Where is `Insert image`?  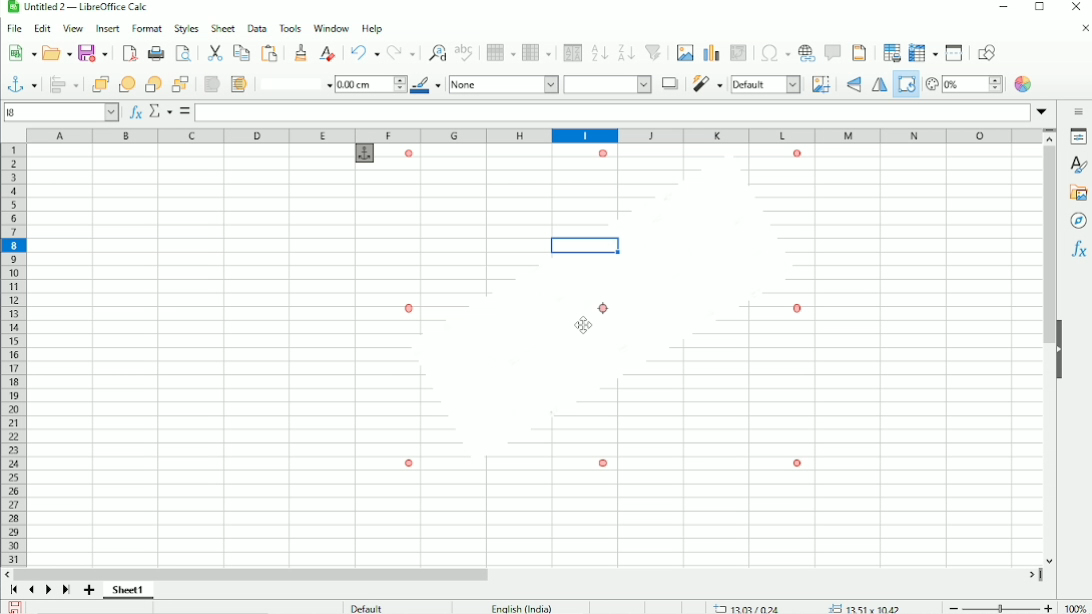
Insert image is located at coordinates (684, 53).